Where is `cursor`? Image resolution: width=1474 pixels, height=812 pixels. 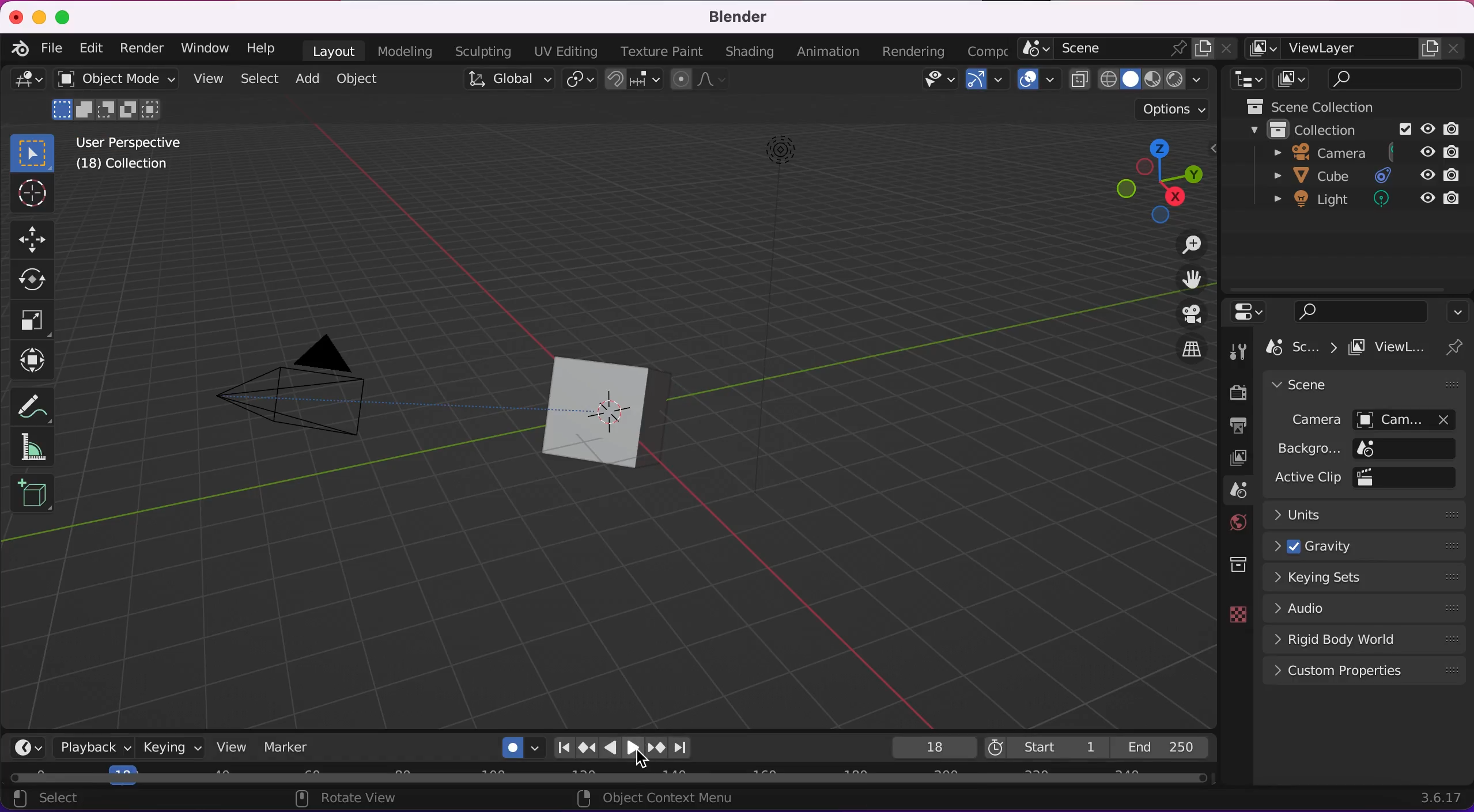
cursor is located at coordinates (644, 758).